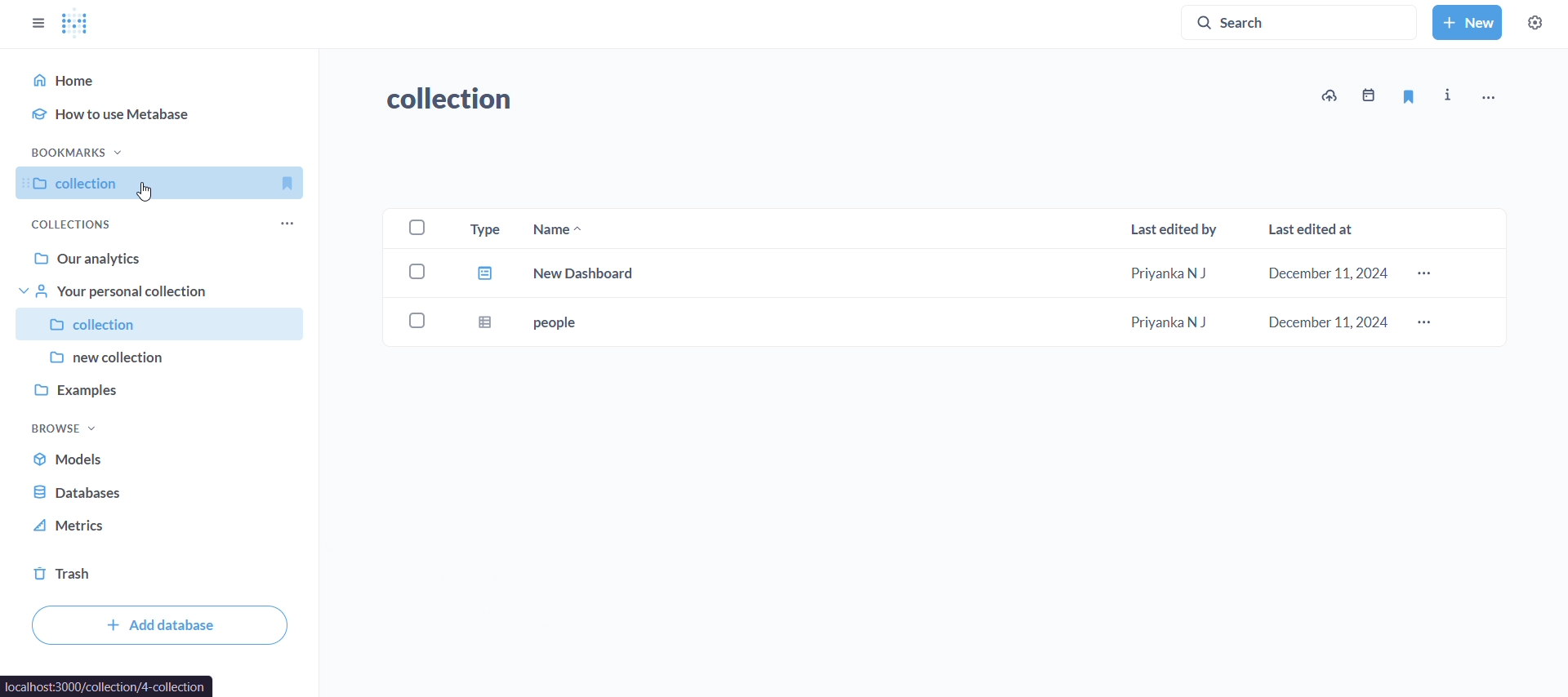 The height and width of the screenshot is (697, 1568). Describe the element at coordinates (147, 458) in the screenshot. I see `models` at that location.